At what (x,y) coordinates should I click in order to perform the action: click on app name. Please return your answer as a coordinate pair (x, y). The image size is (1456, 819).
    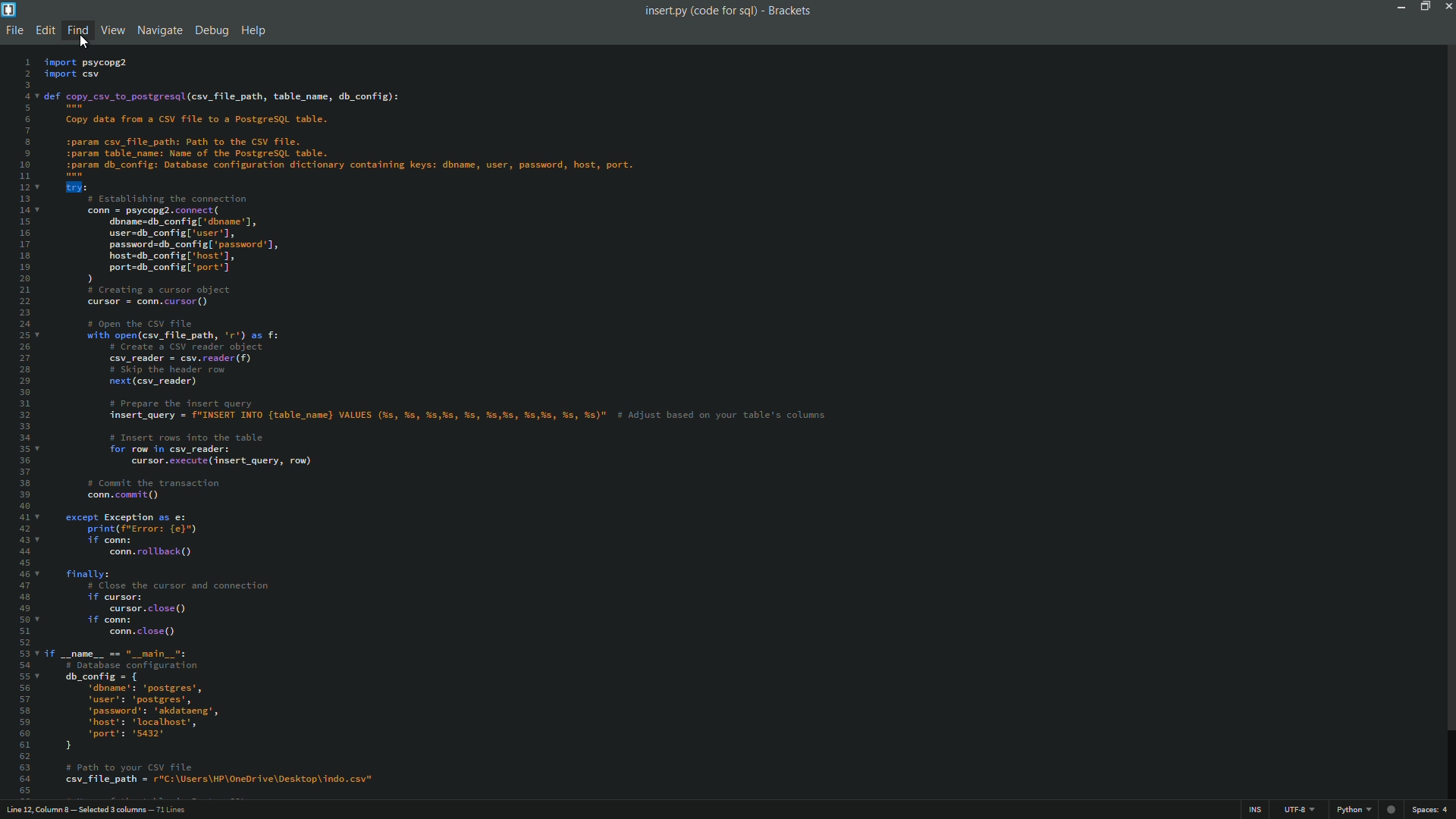
    Looking at the image, I should click on (790, 11).